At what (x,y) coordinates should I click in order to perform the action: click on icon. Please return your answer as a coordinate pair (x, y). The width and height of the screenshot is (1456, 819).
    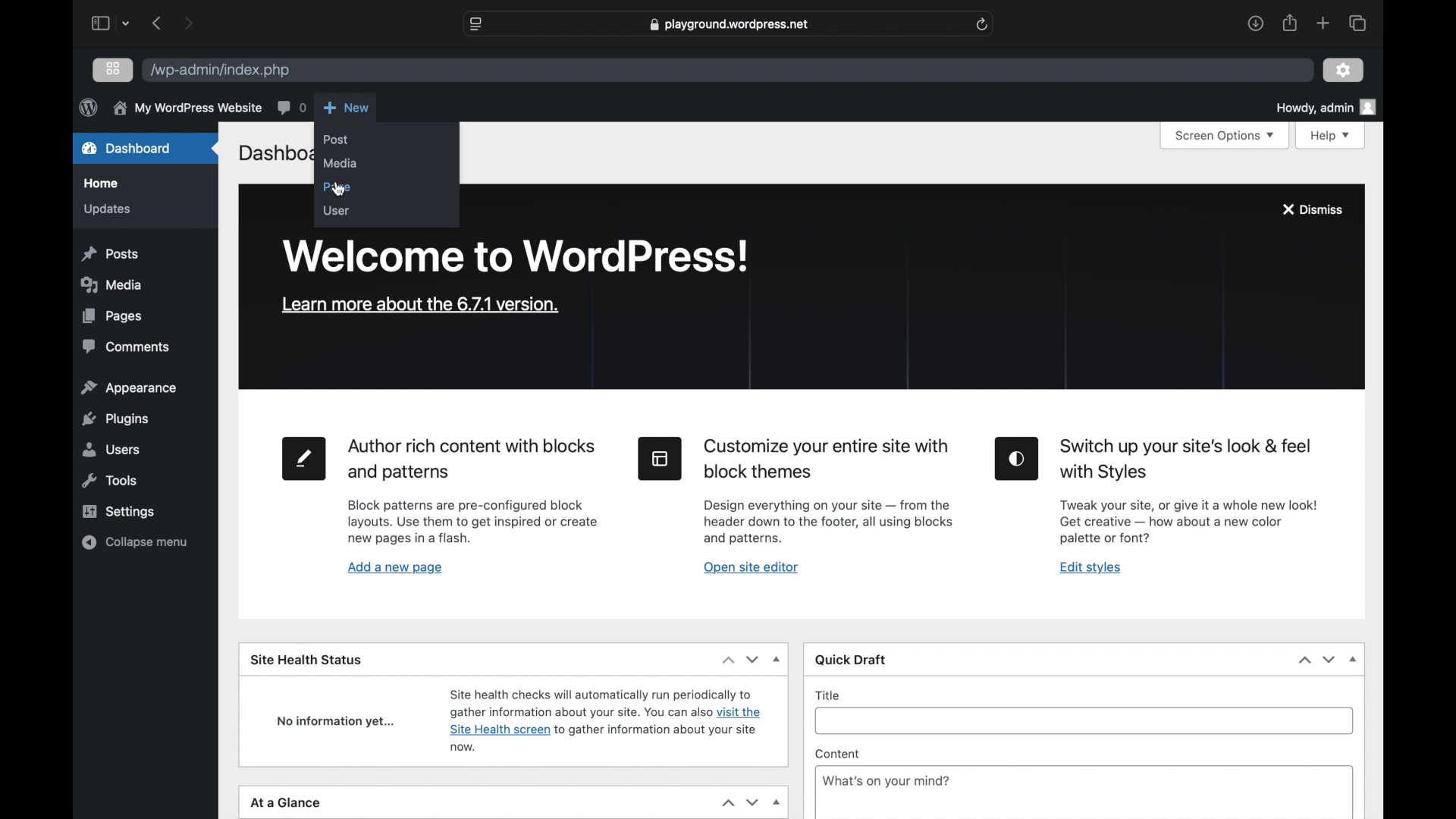
    Looking at the image, I should click on (1018, 459).